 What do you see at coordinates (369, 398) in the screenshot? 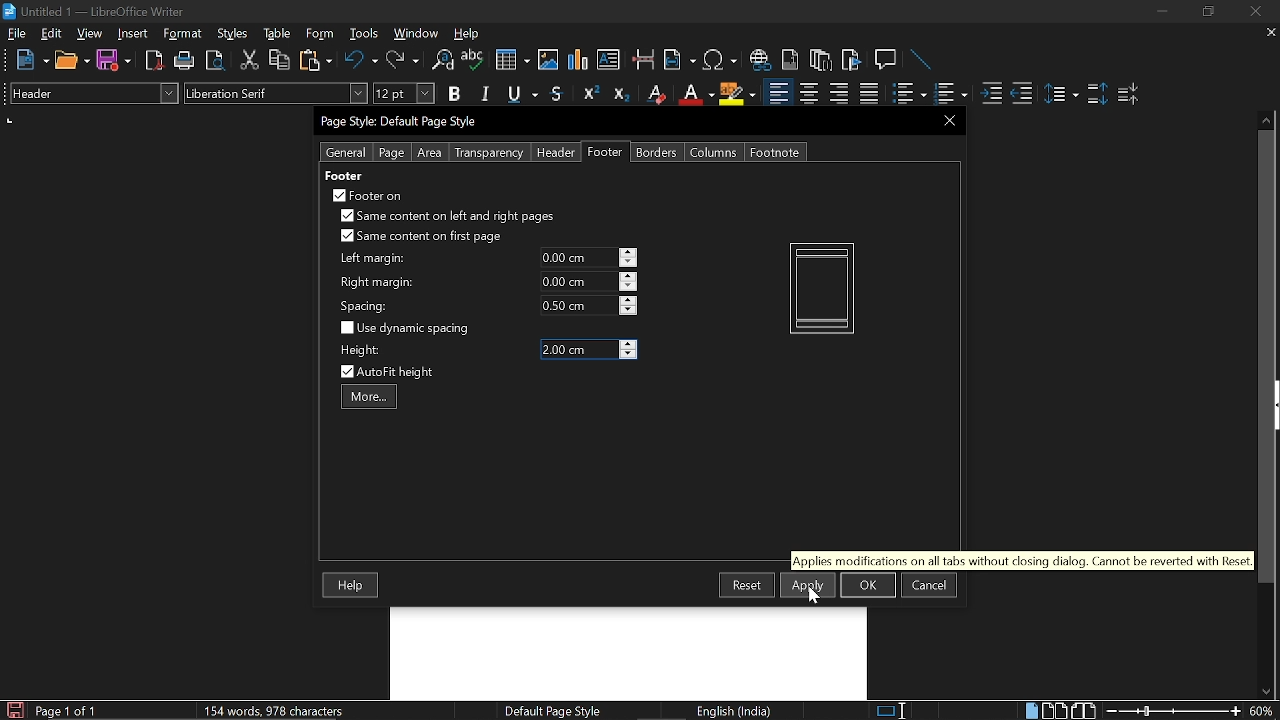
I see `more` at bounding box center [369, 398].